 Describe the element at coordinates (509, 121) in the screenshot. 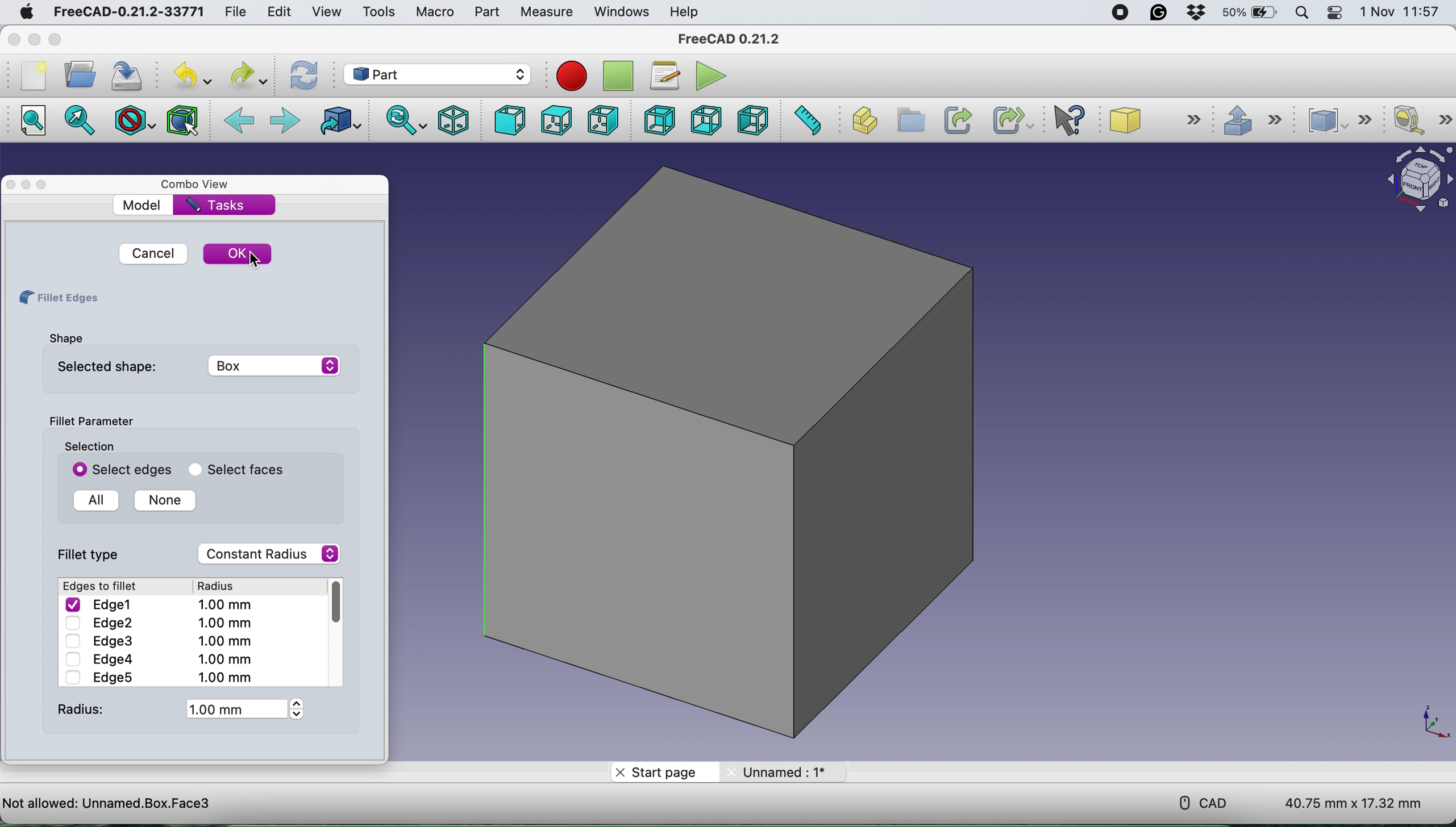

I see `front` at that location.